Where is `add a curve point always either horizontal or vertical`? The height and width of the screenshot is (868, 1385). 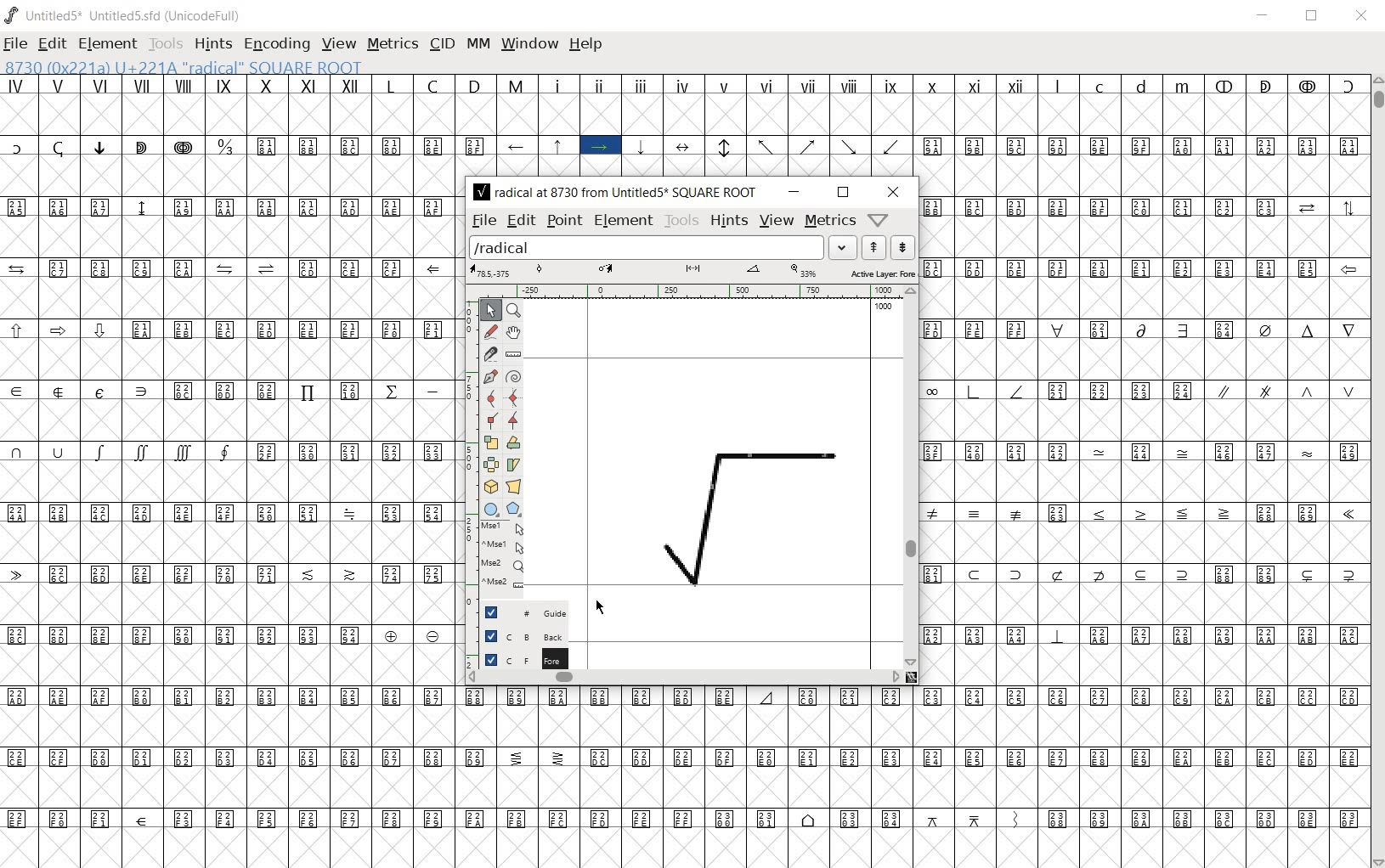
add a curve point always either horizontal or vertical is located at coordinates (491, 397).